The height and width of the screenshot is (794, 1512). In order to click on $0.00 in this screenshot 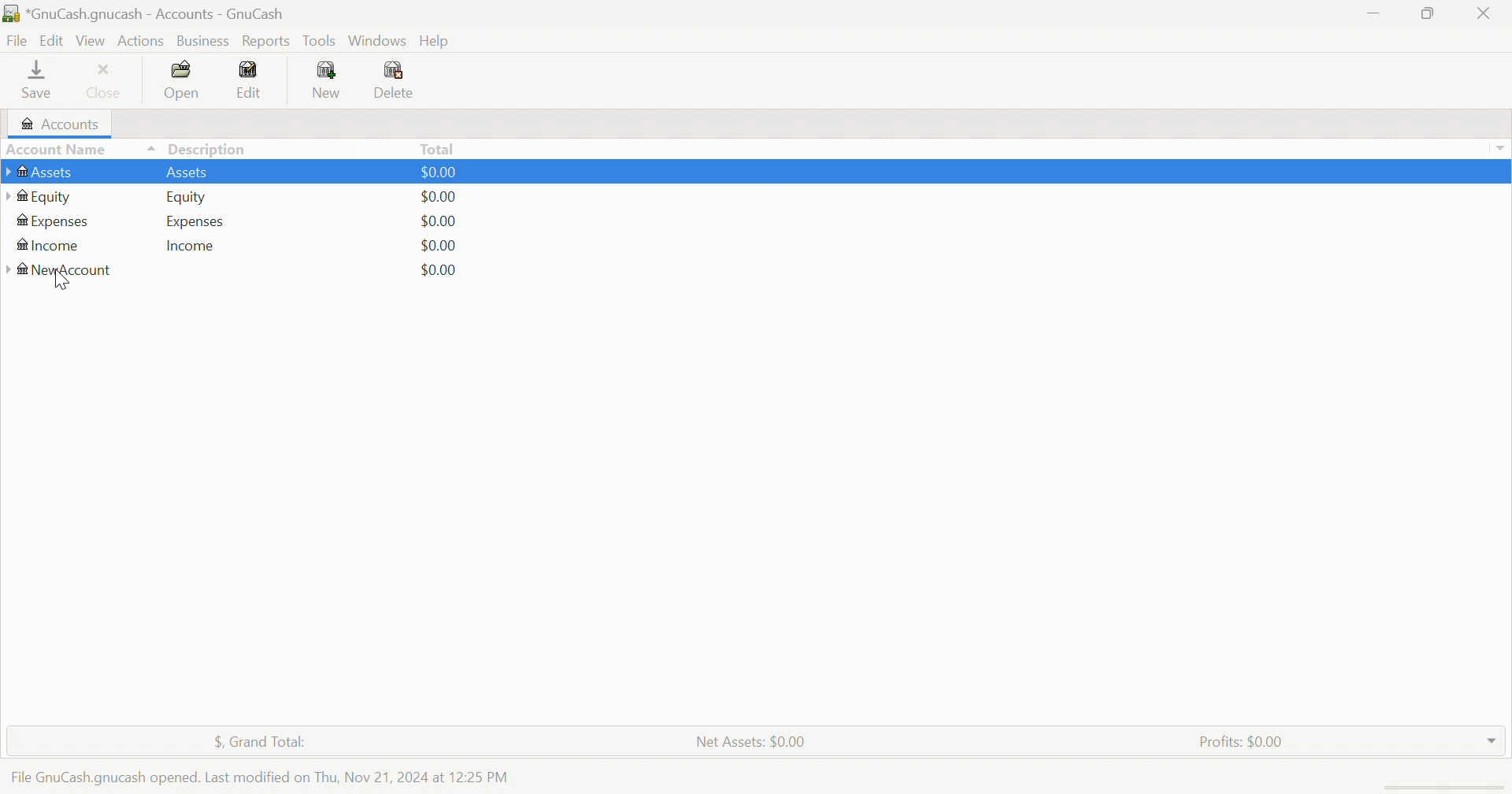, I will do `click(438, 221)`.